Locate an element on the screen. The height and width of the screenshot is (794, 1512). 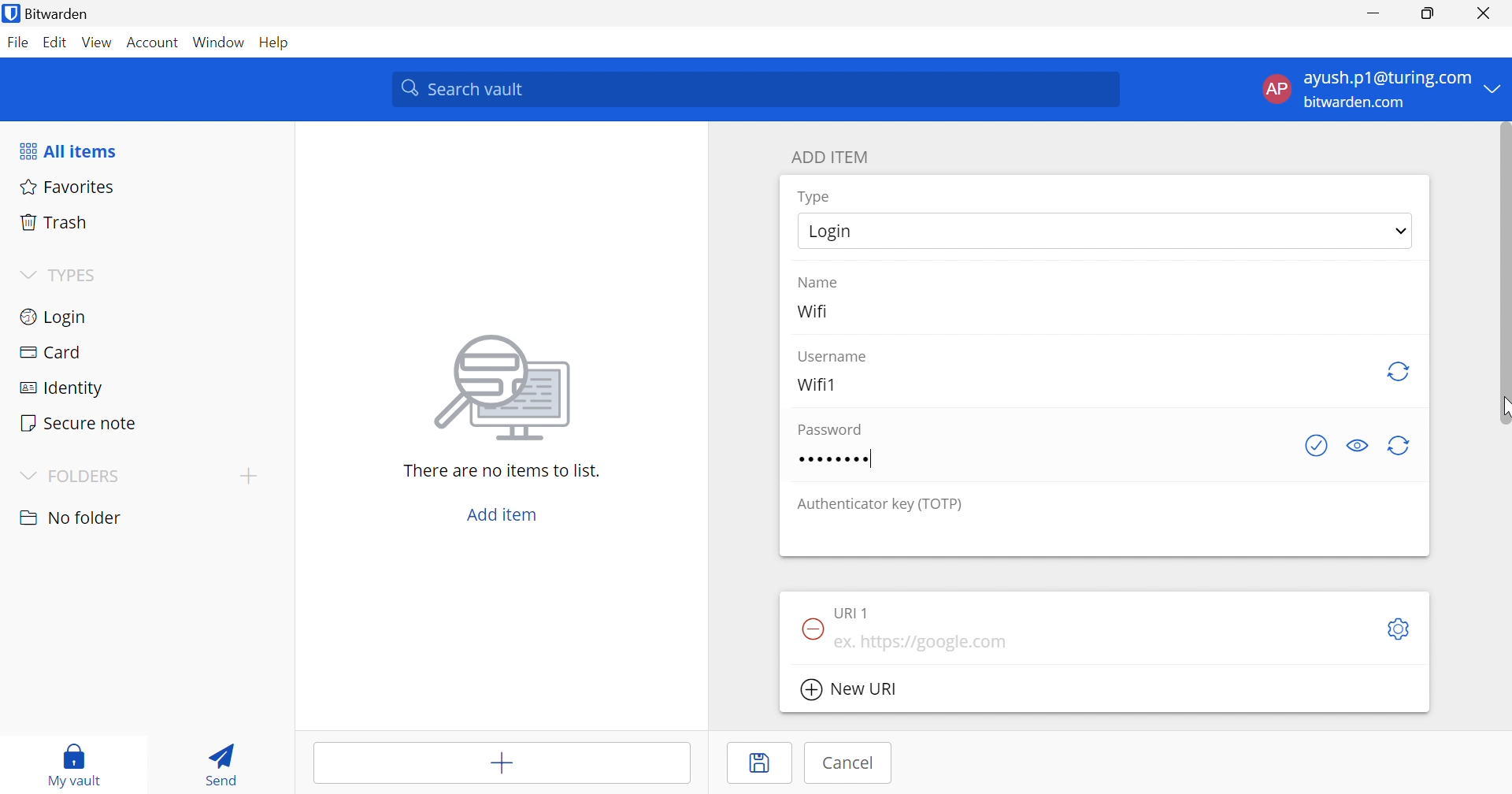
Username is located at coordinates (834, 358).